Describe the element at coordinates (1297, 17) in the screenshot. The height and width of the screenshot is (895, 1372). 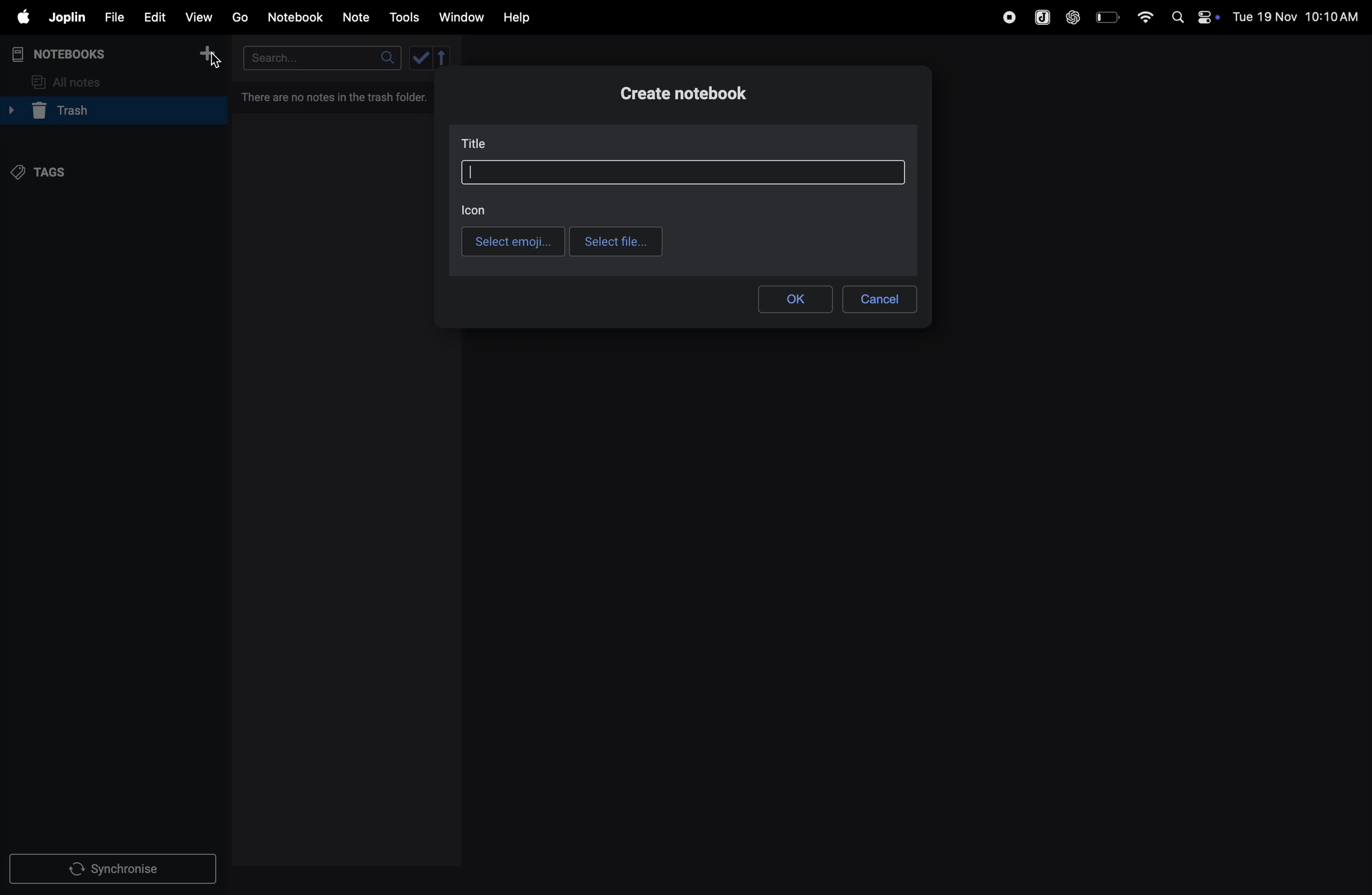
I see `Tue 19 Nov 10:10 AM(date and time)` at that location.